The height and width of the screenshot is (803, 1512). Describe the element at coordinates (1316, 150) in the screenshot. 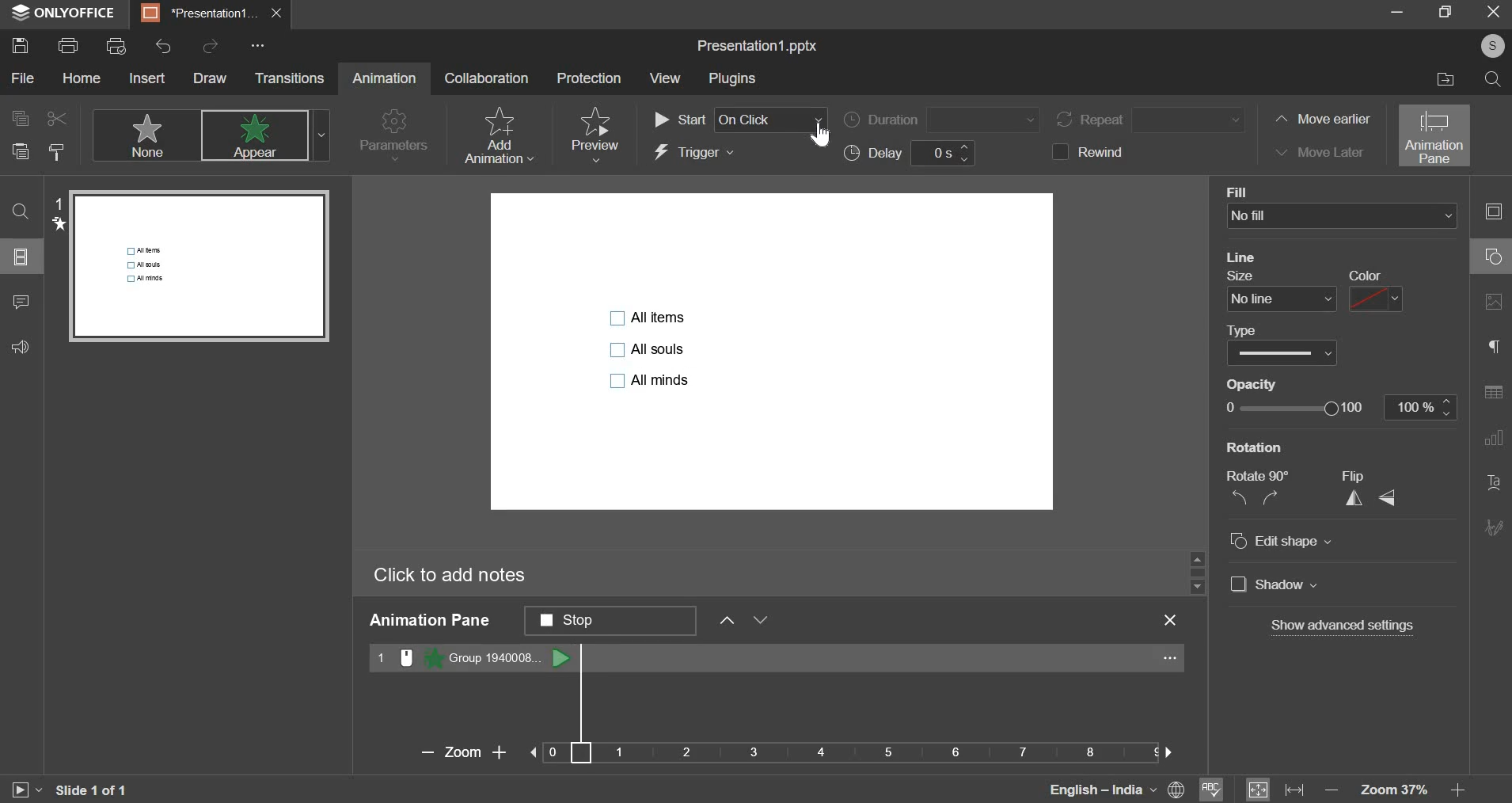

I see `move later` at that location.